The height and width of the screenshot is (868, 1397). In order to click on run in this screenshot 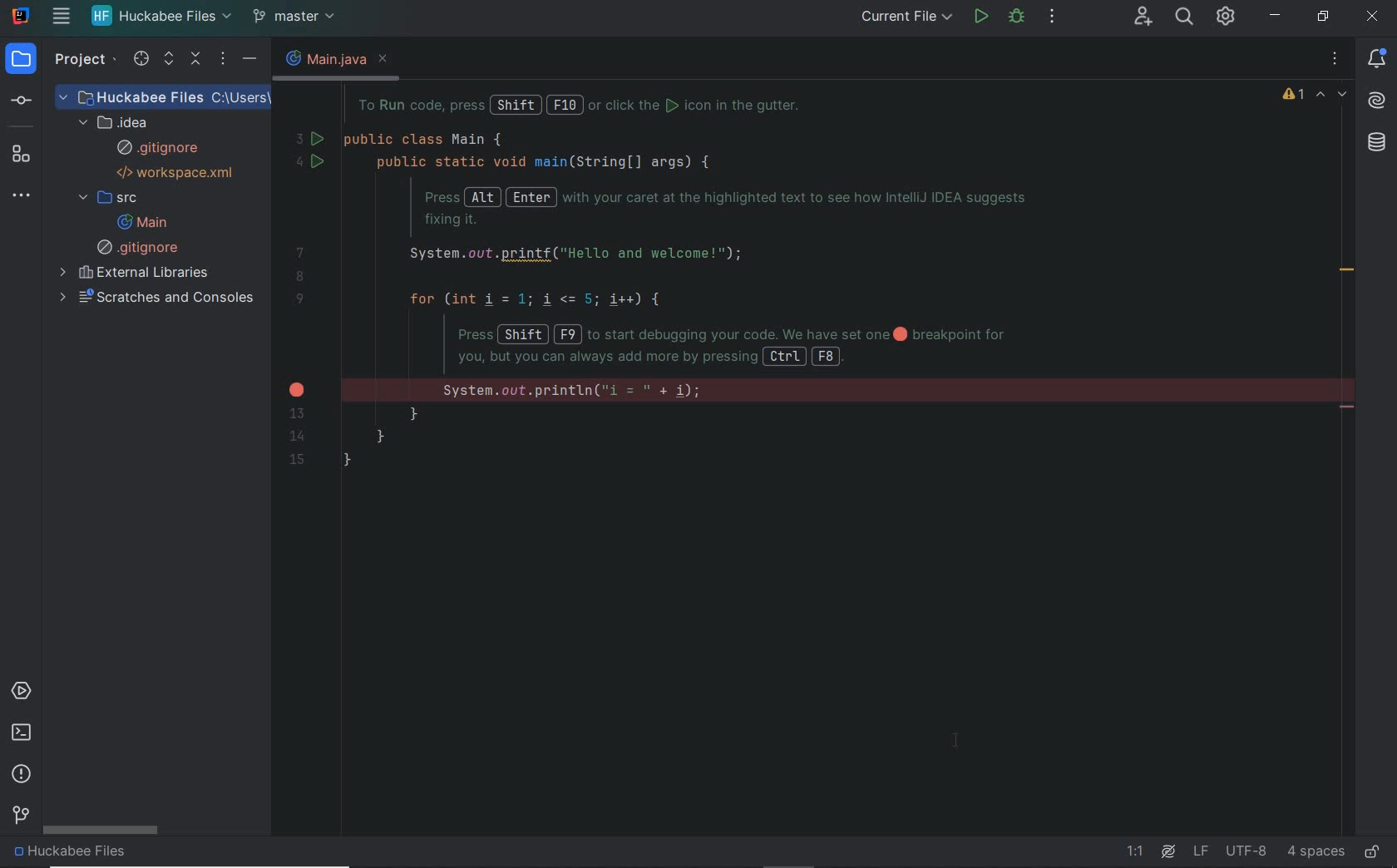, I will do `click(980, 18)`.